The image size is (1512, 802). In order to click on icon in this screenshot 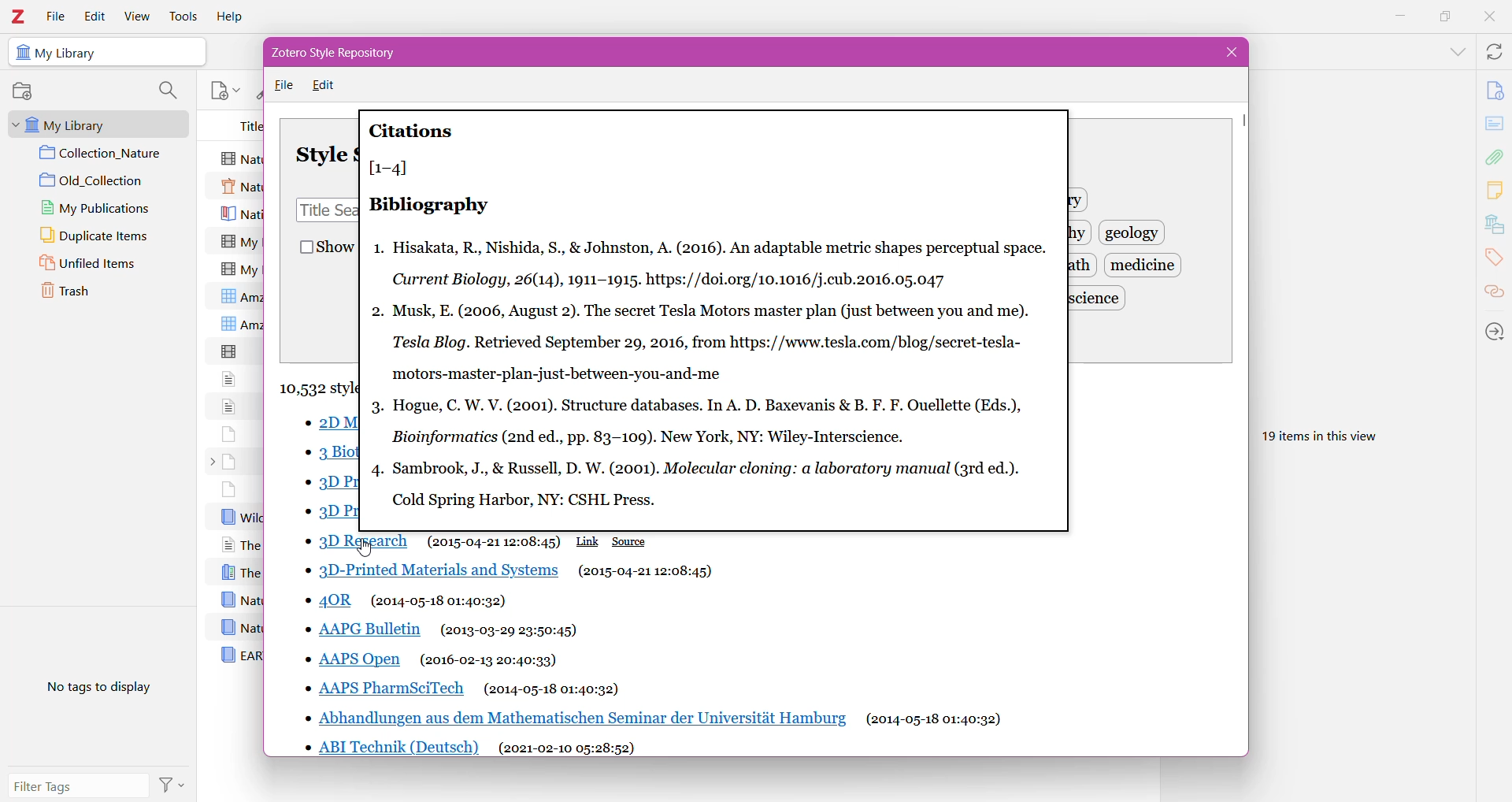, I will do `click(21, 53)`.